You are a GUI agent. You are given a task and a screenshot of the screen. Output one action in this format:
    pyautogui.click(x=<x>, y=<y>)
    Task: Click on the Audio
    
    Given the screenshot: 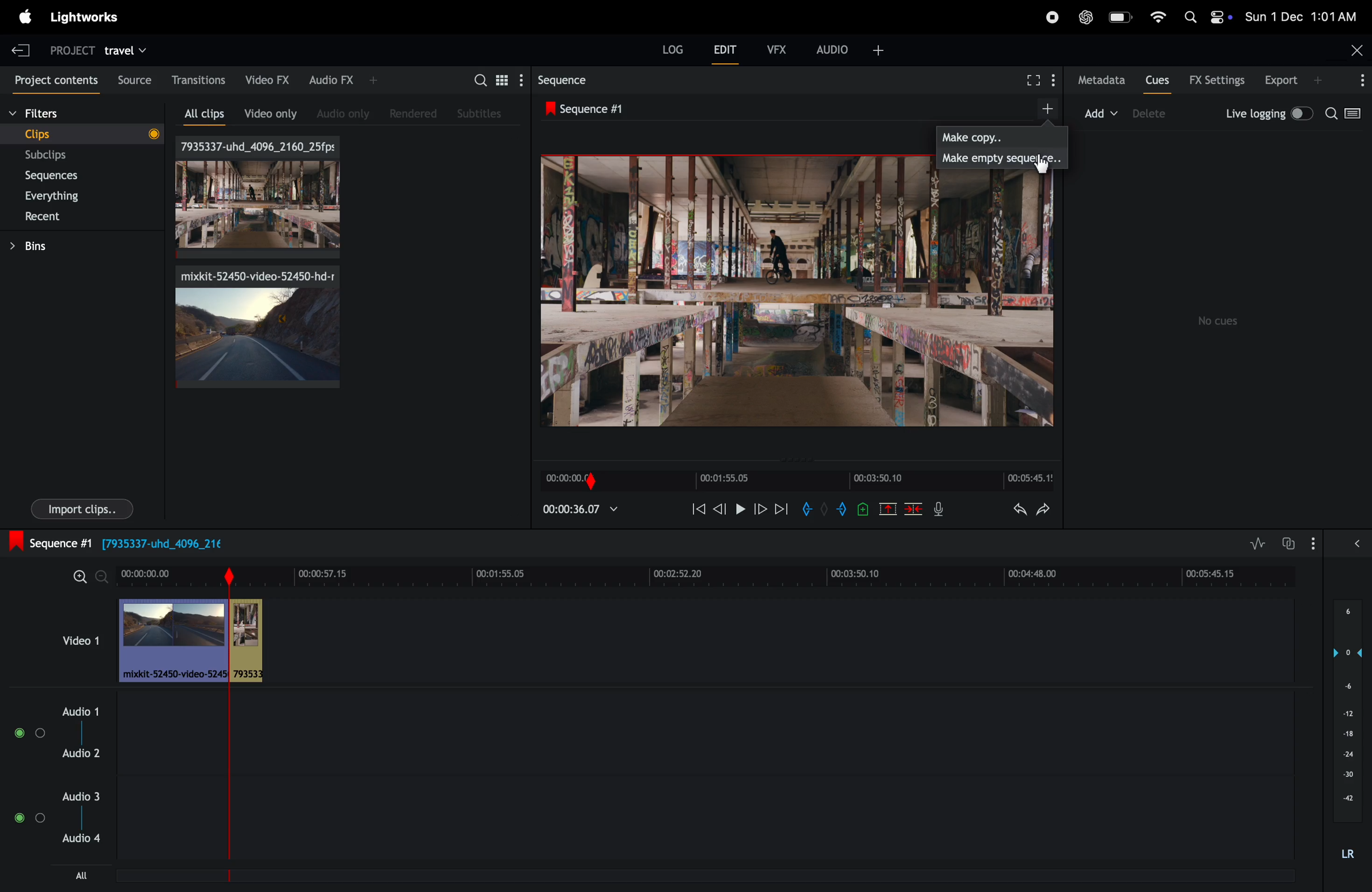 What is the action you would take?
    pyautogui.click(x=29, y=815)
    